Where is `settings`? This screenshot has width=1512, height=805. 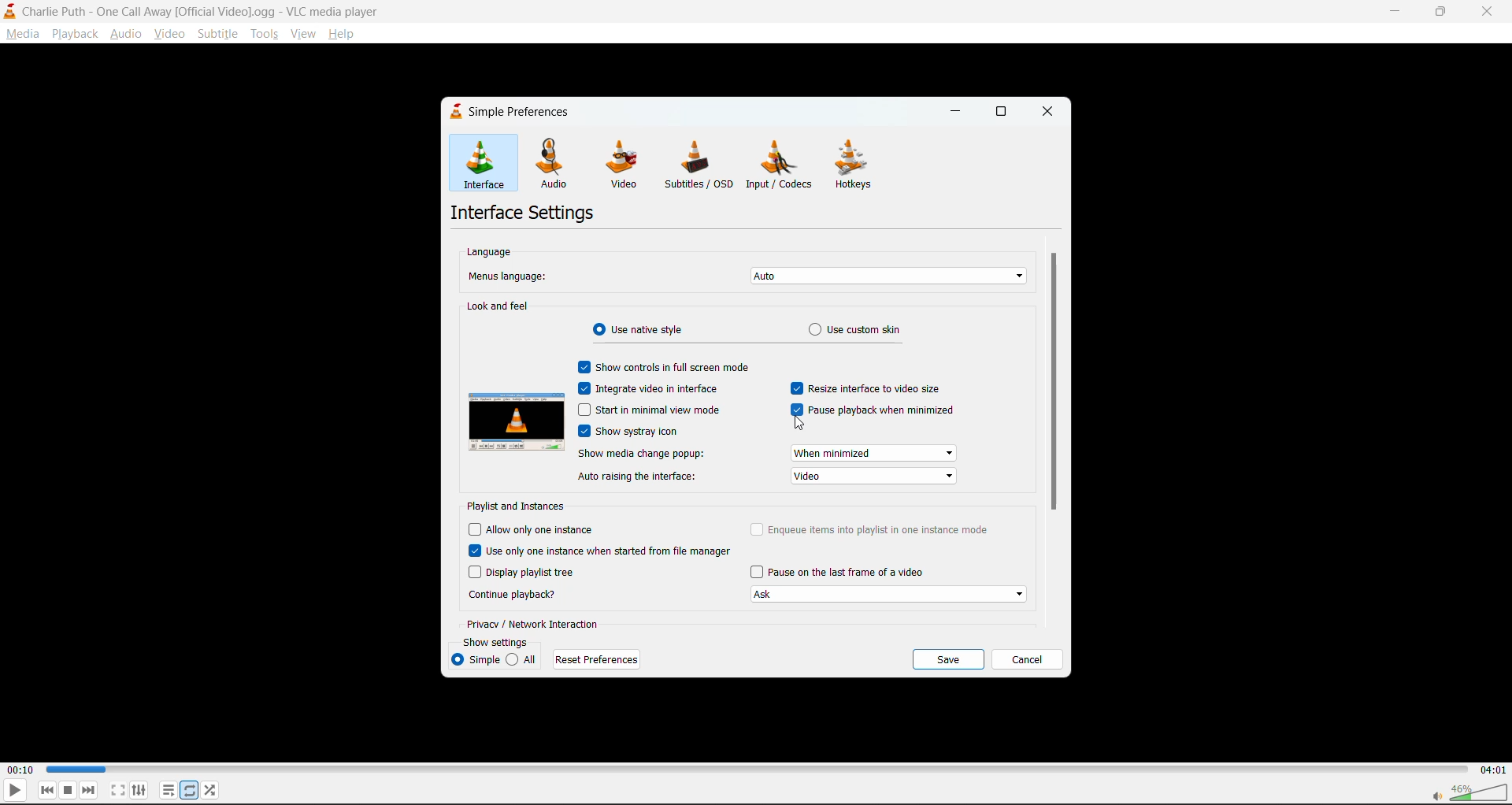
settings is located at coordinates (141, 788).